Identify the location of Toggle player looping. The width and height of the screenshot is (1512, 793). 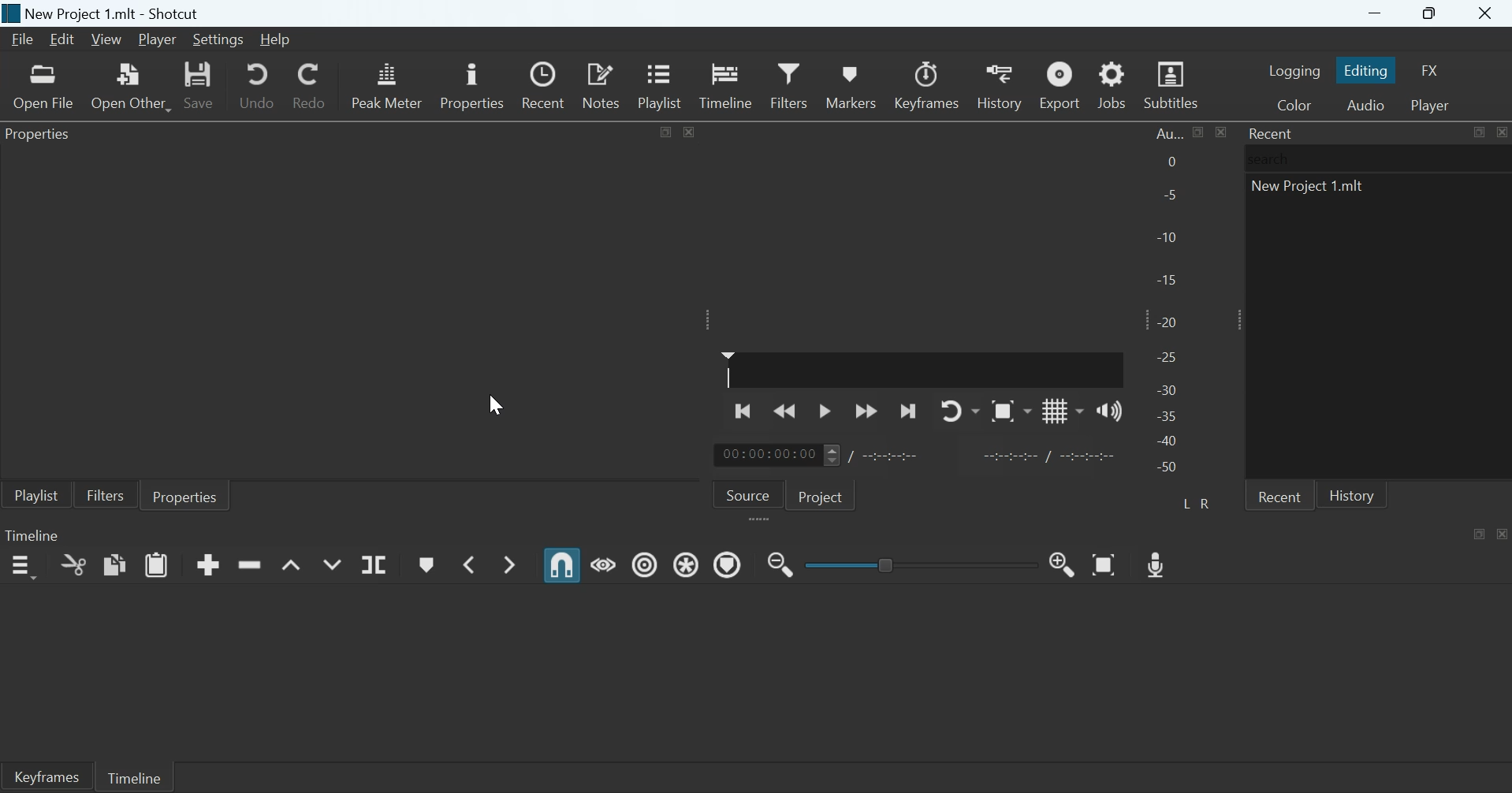
(960, 411).